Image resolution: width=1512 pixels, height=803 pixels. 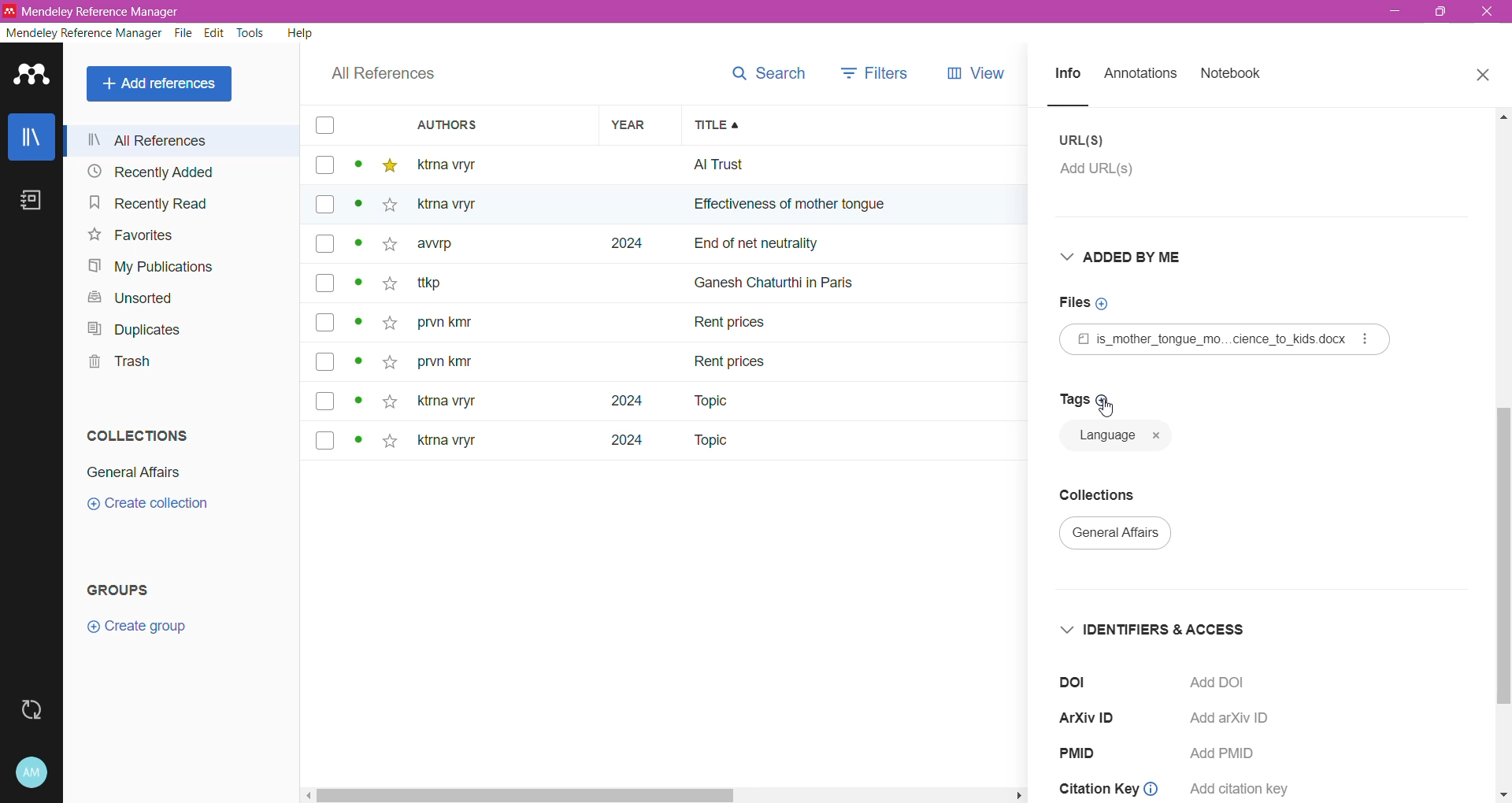 What do you see at coordinates (159, 509) in the screenshot?
I see `create collection` at bounding box center [159, 509].